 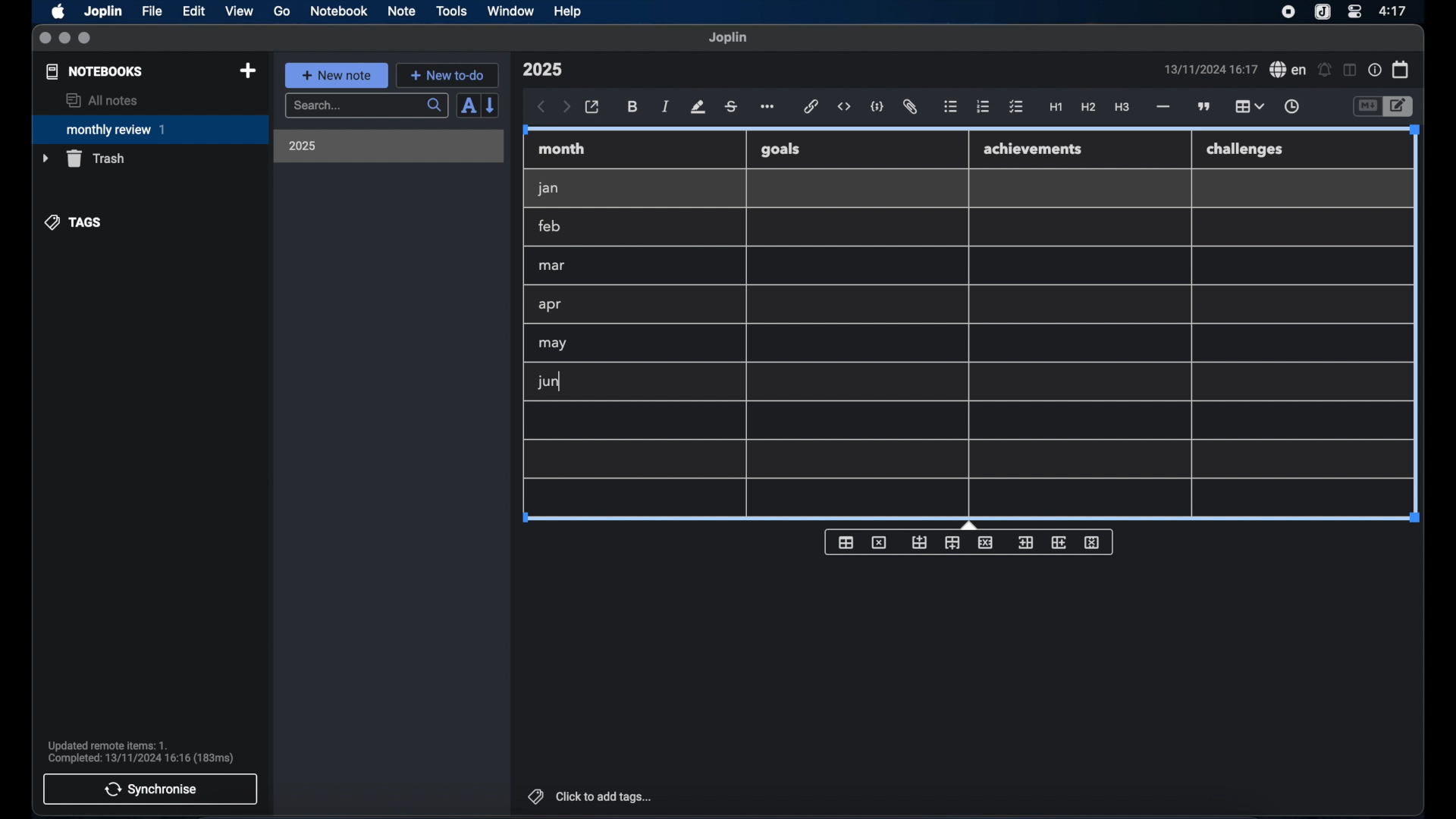 I want to click on maximize, so click(x=86, y=39).